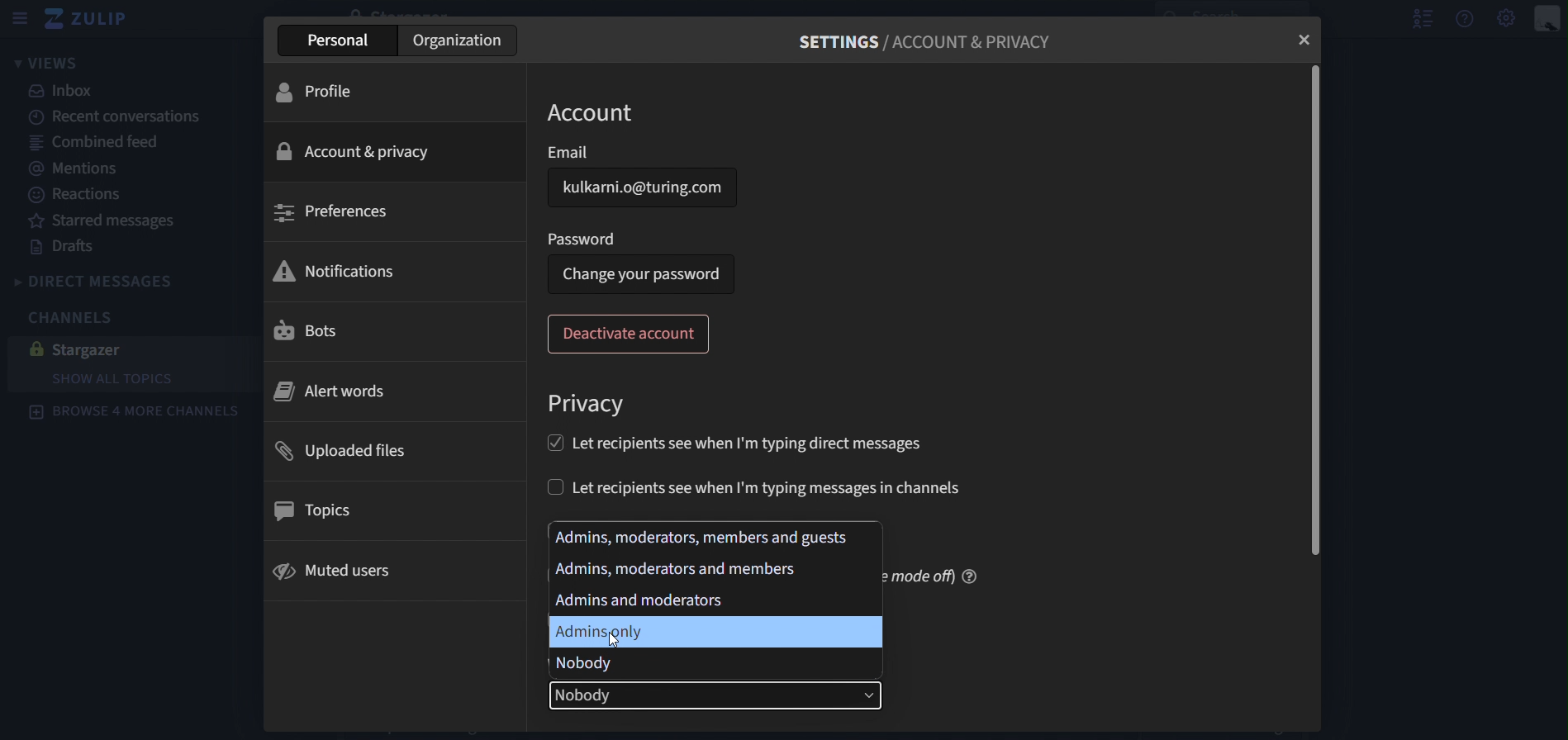 Image resolution: width=1568 pixels, height=740 pixels. I want to click on let recipients see when Im typing direct messages, so click(729, 442).